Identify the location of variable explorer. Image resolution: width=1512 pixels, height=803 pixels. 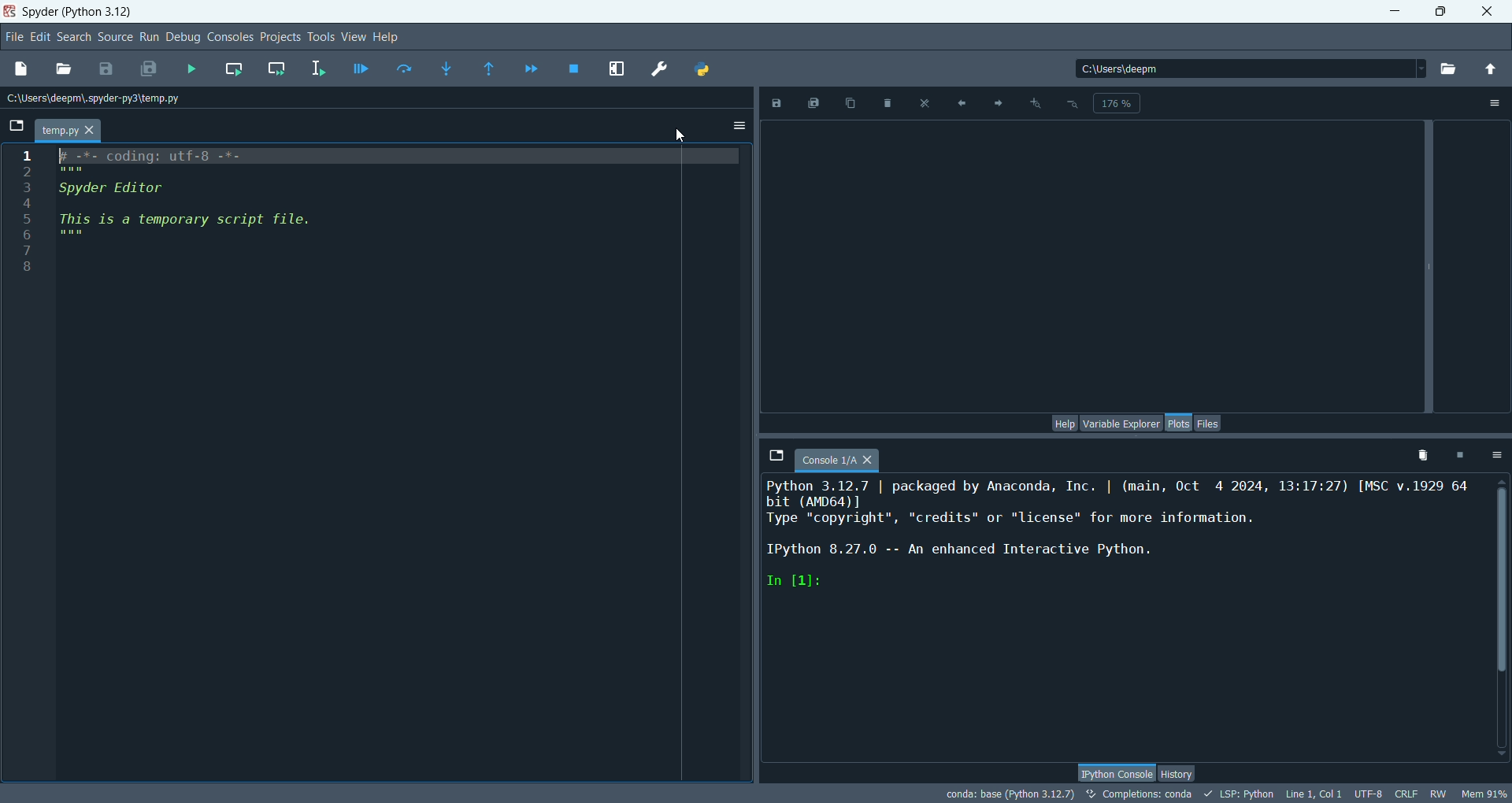
(1119, 424).